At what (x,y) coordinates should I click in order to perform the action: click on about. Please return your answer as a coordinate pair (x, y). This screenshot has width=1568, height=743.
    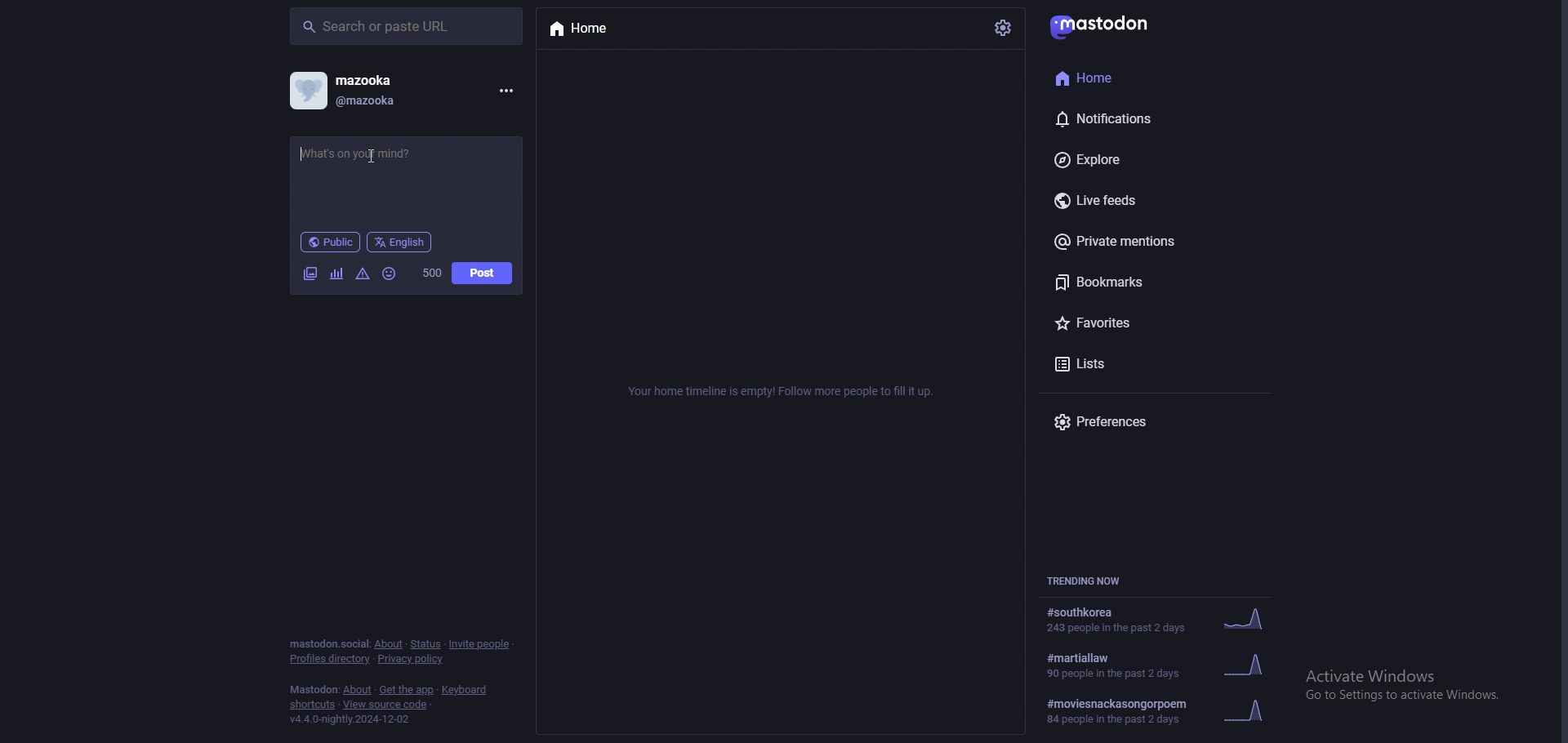
    Looking at the image, I should click on (358, 691).